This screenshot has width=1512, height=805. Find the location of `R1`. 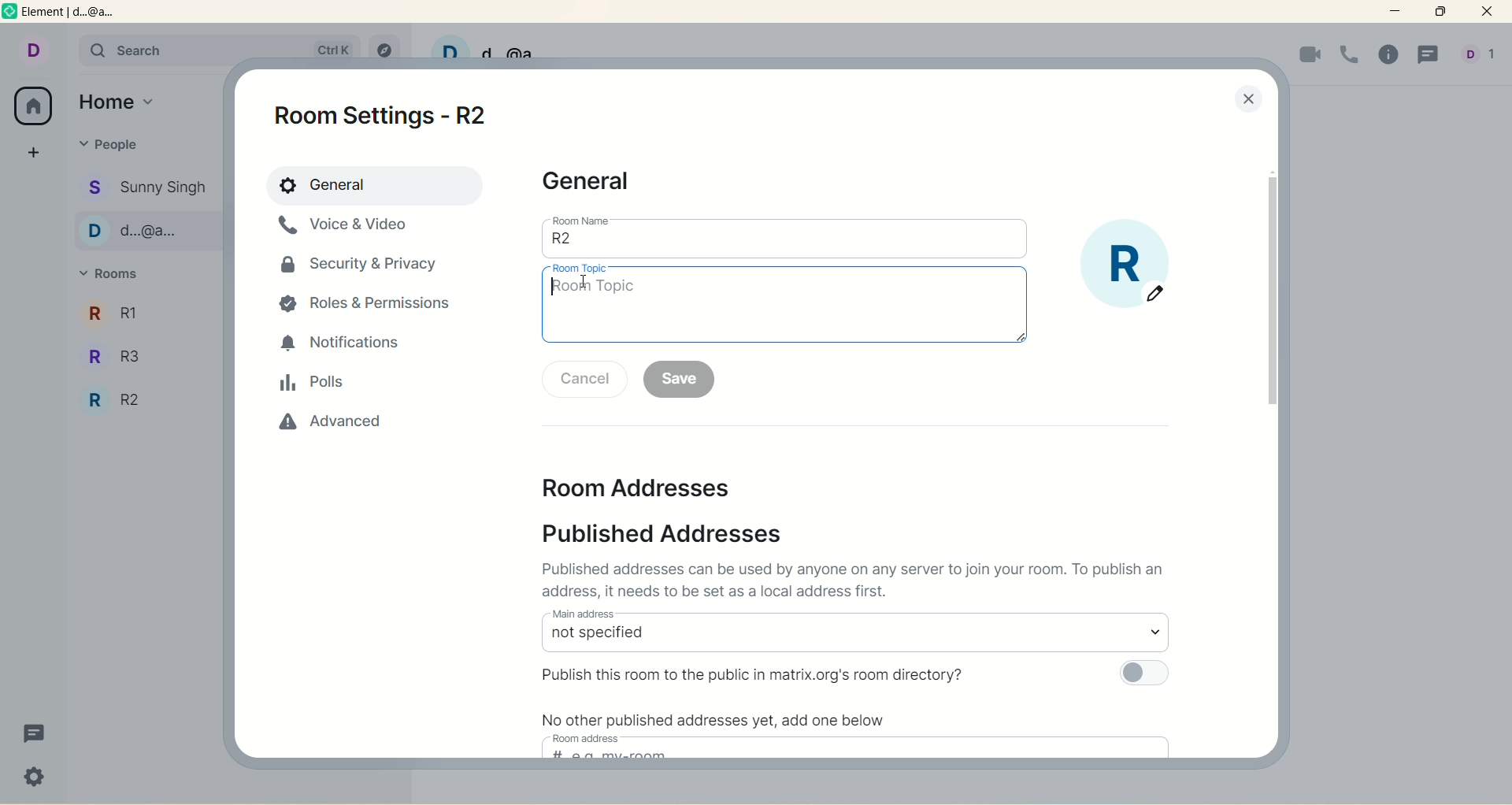

R1 is located at coordinates (145, 311).